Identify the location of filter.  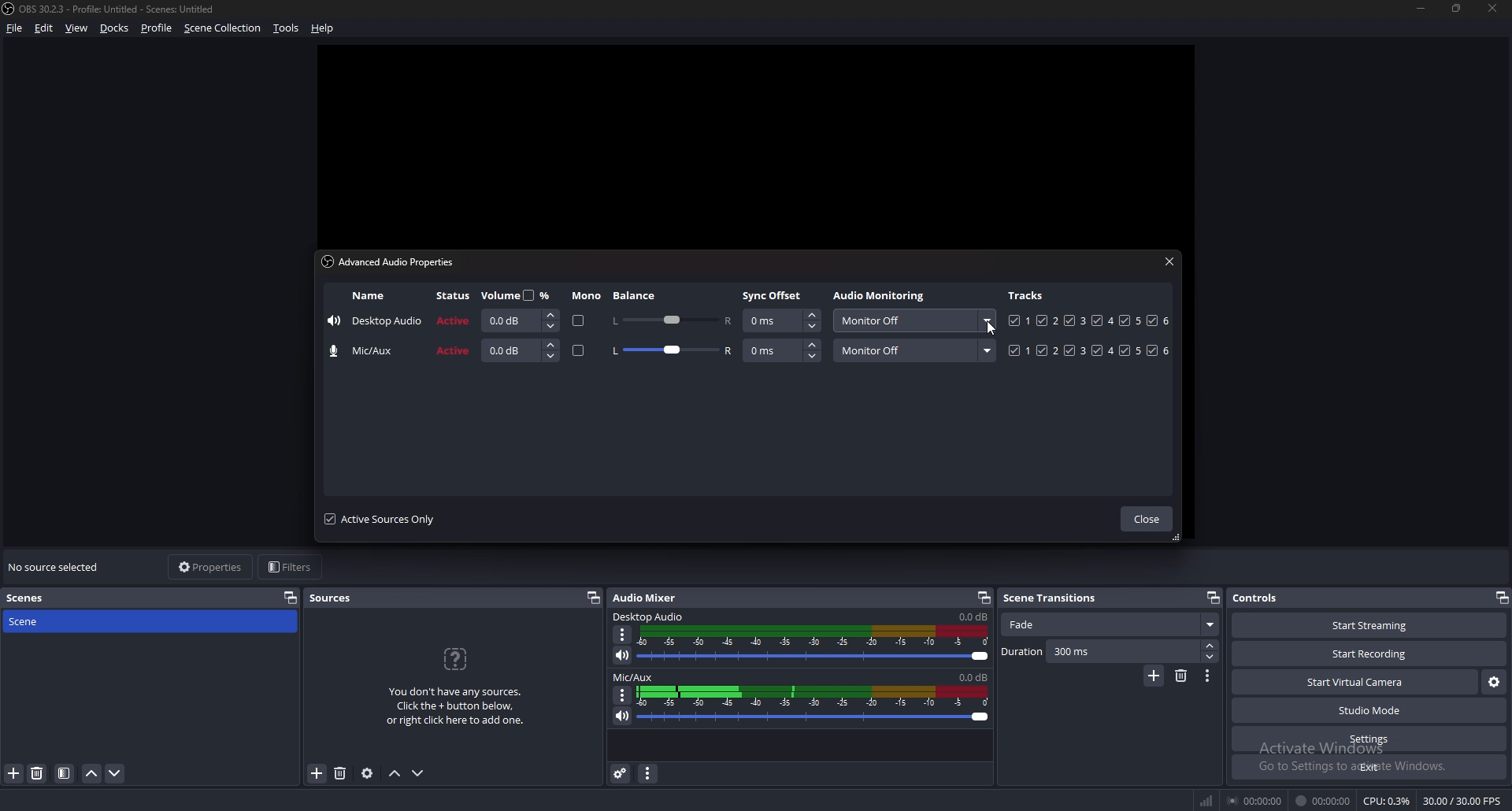
(64, 774).